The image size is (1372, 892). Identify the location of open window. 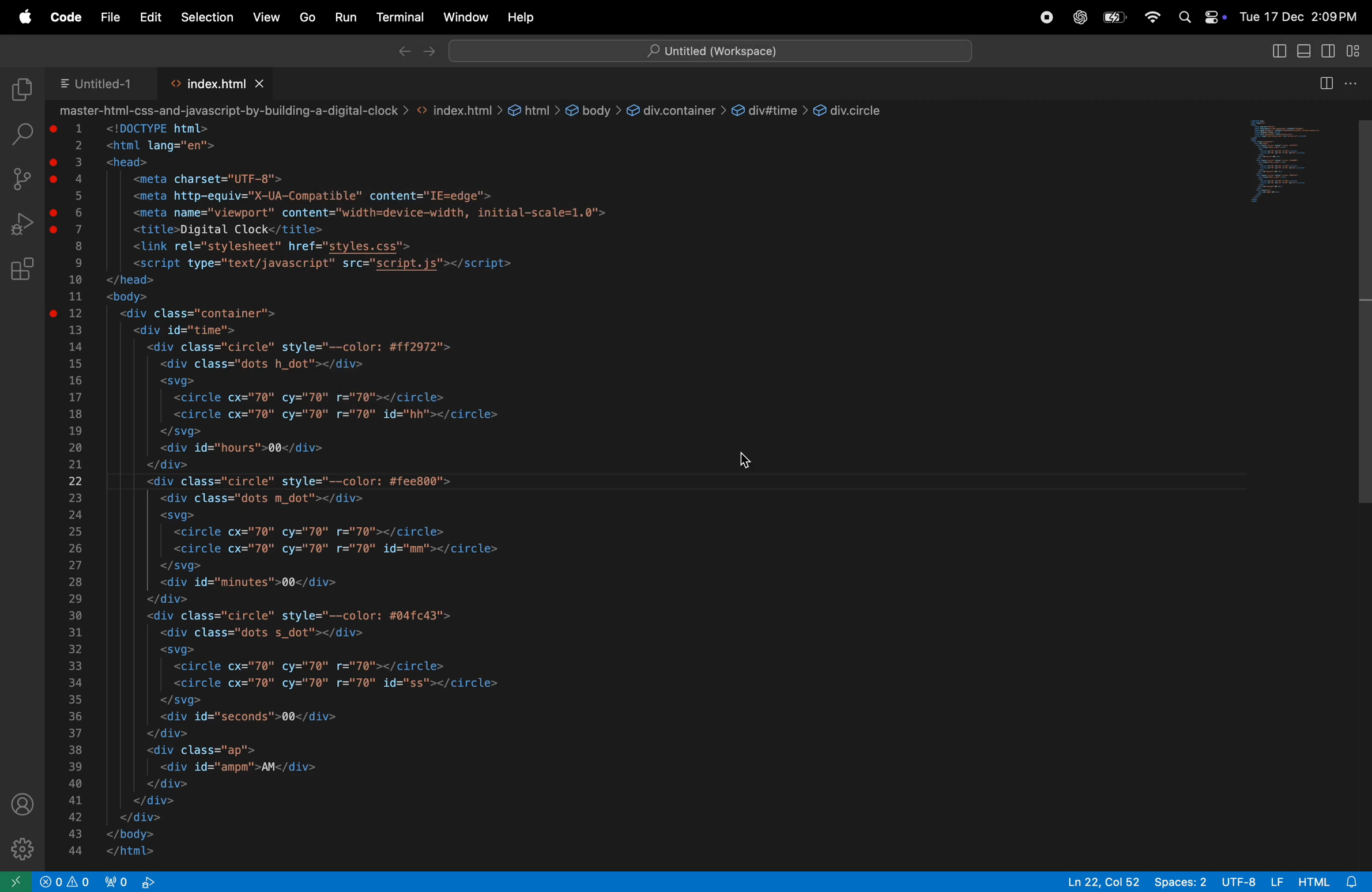
(1283, 164).